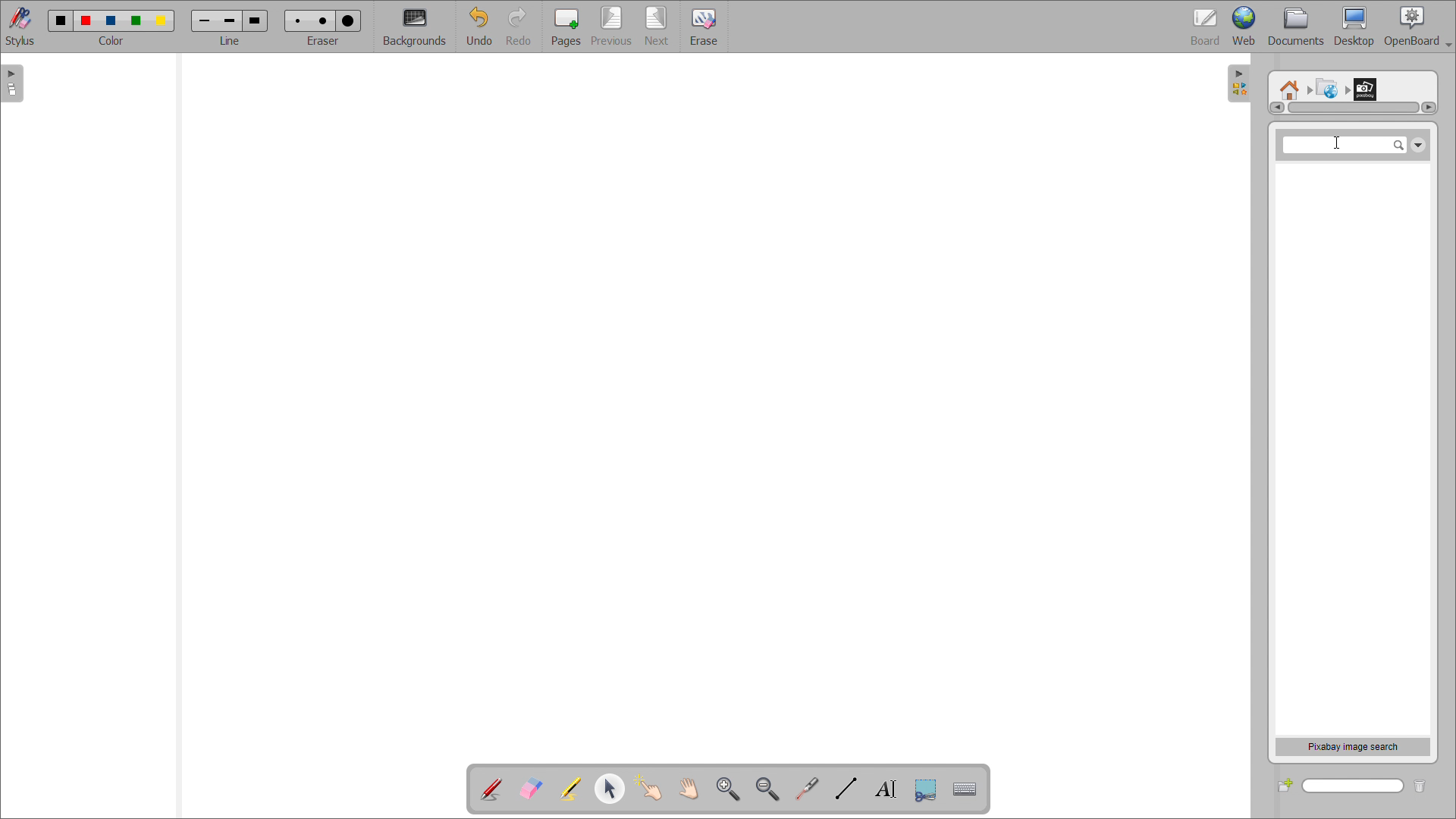 This screenshot has height=819, width=1456. Describe the element at coordinates (965, 789) in the screenshot. I see `virtual keyboard` at that location.